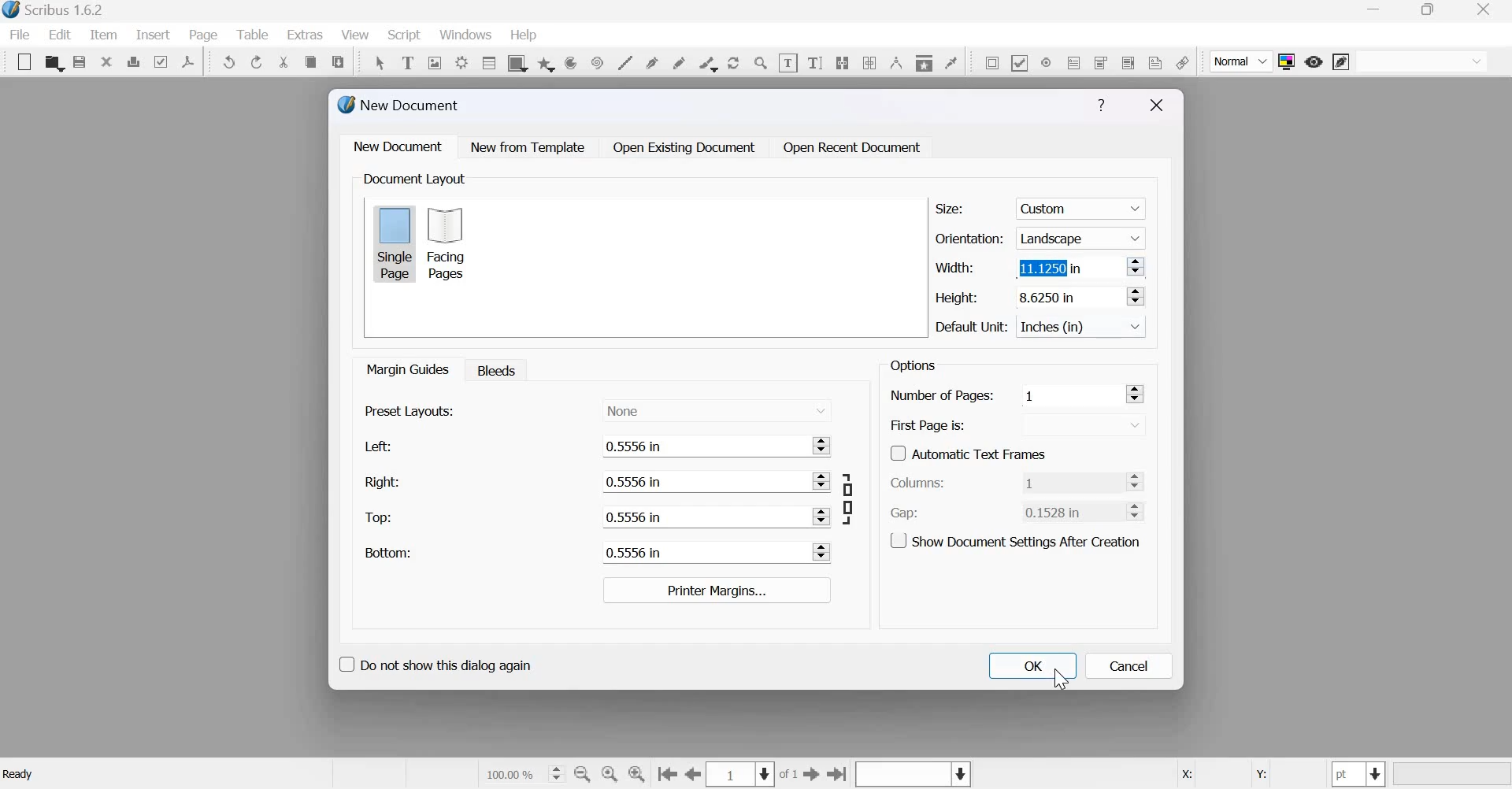 Image resolution: width=1512 pixels, height=789 pixels. Describe the element at coordinates (989, 62) in the screenshot. I see `PDF push button` at that location.